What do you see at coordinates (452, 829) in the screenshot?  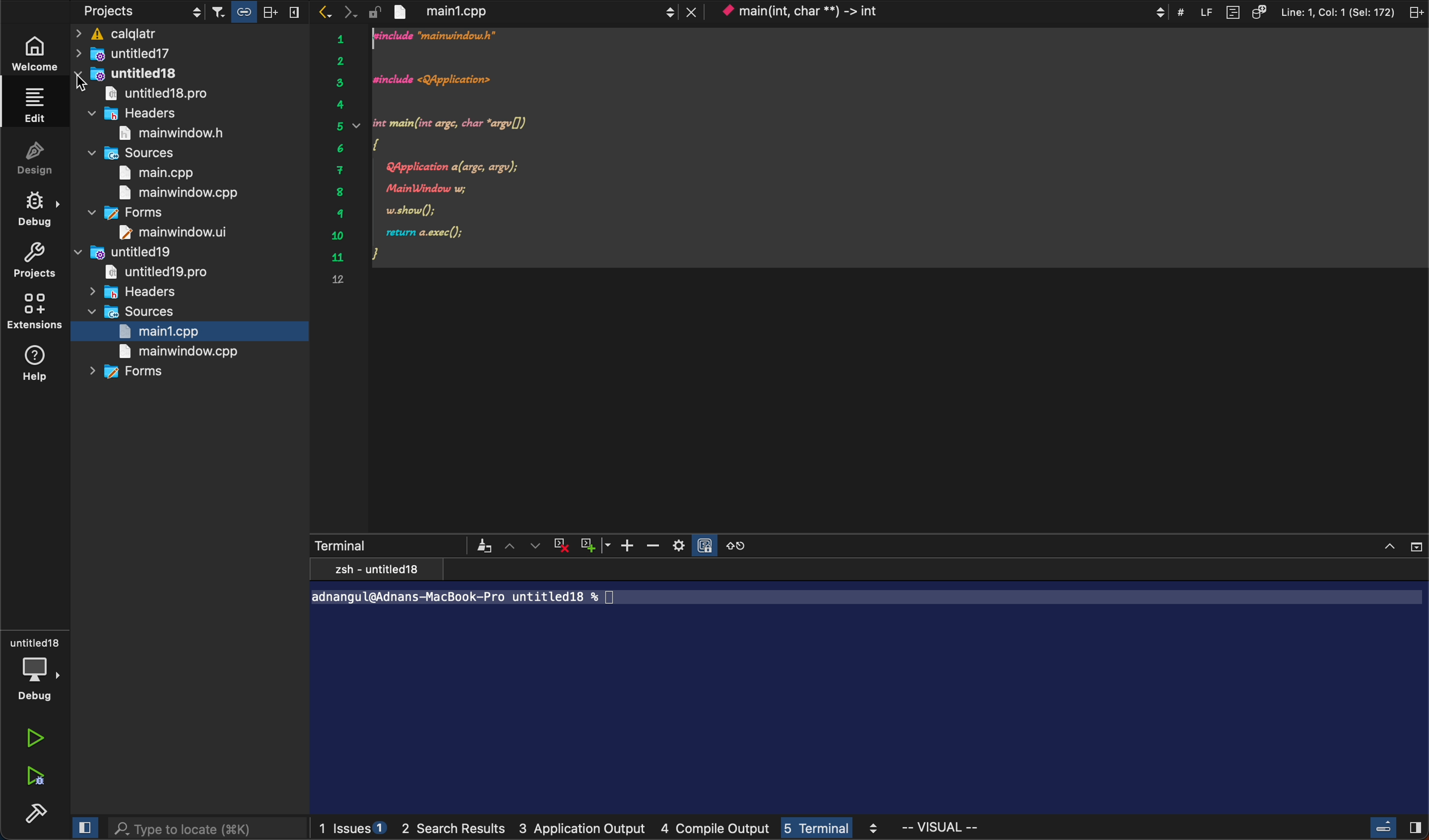 I see `search results` at bounding box center [452, 829].